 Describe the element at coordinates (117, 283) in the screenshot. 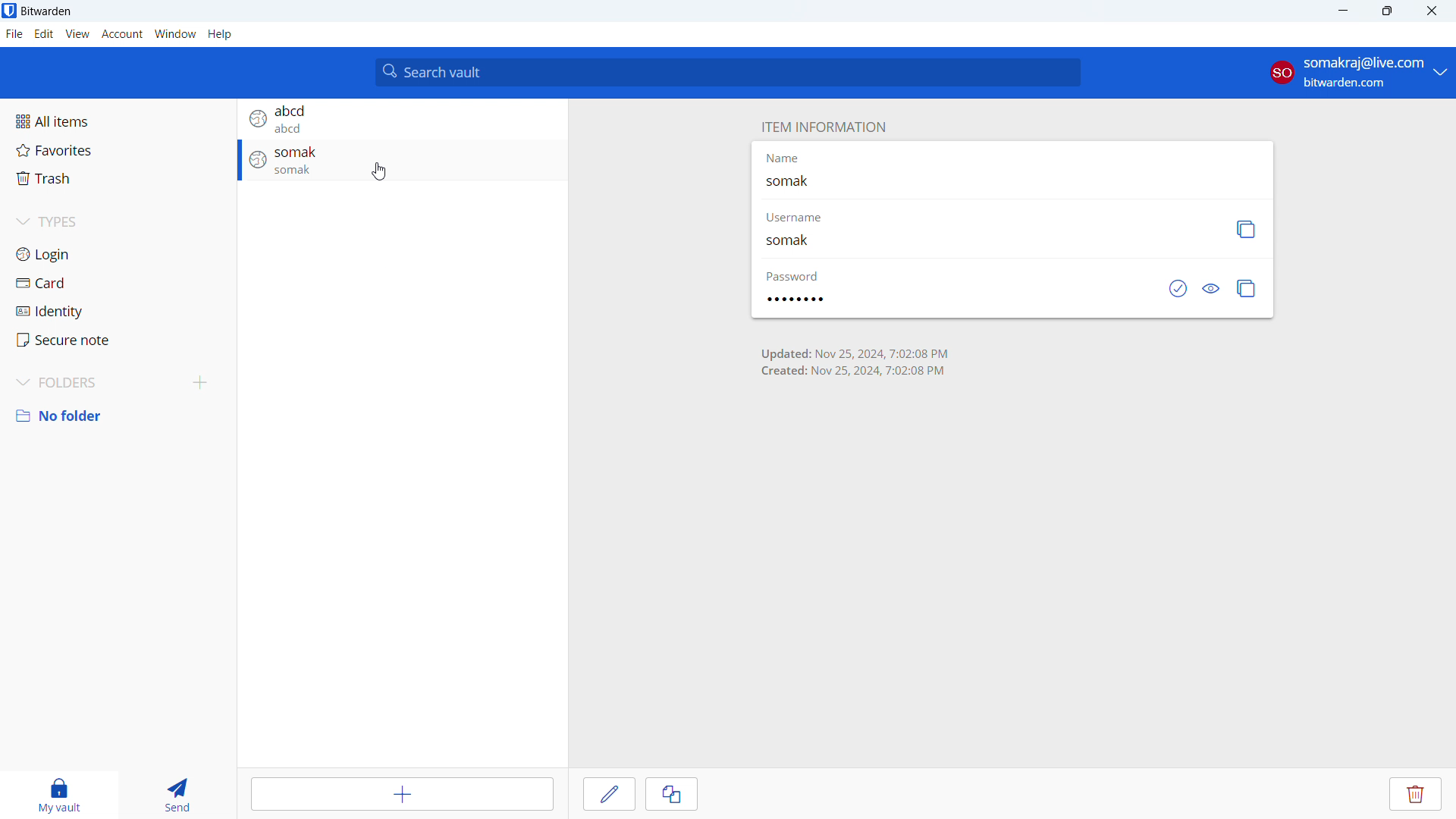

I see `card` at that location.